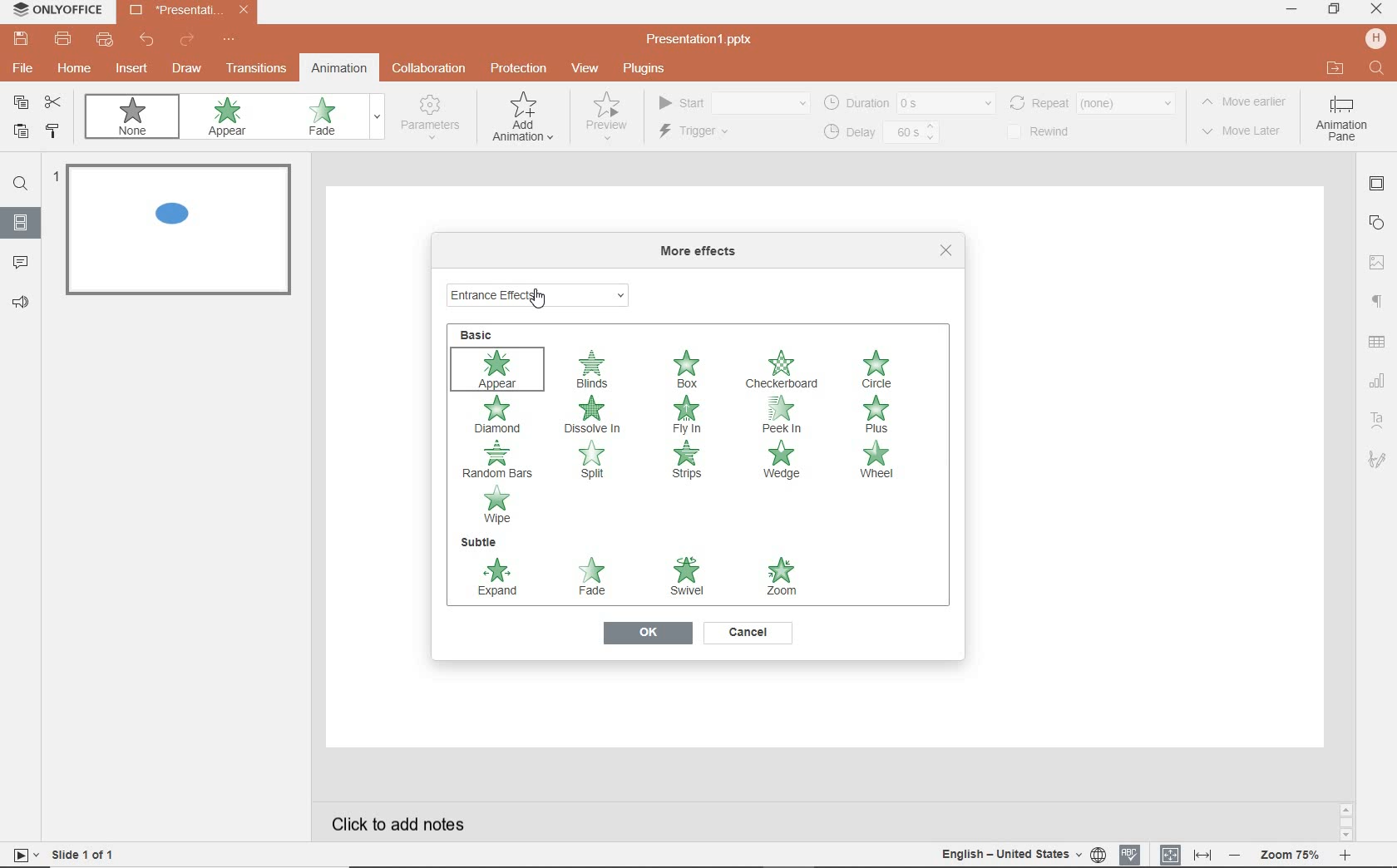 The image size is (1397, 868). Describe the element at coordinates (190, 12) in the screenshot. I see `file name` at that location.